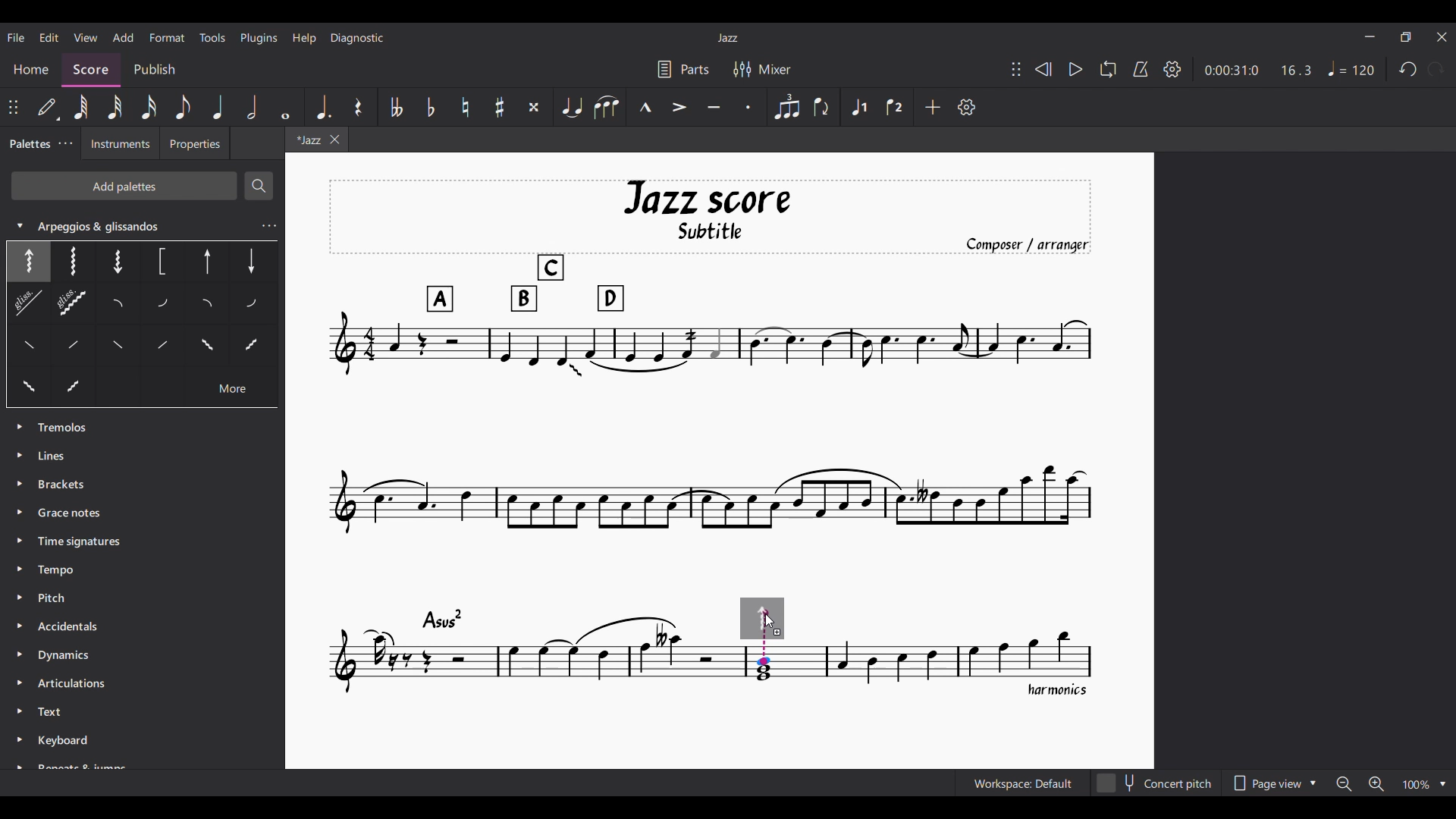 The image size is (1456, 819). Describe the element at coordinates (144, 221) in the screenshot. I see `Arpeggios & glissandos` at that location.